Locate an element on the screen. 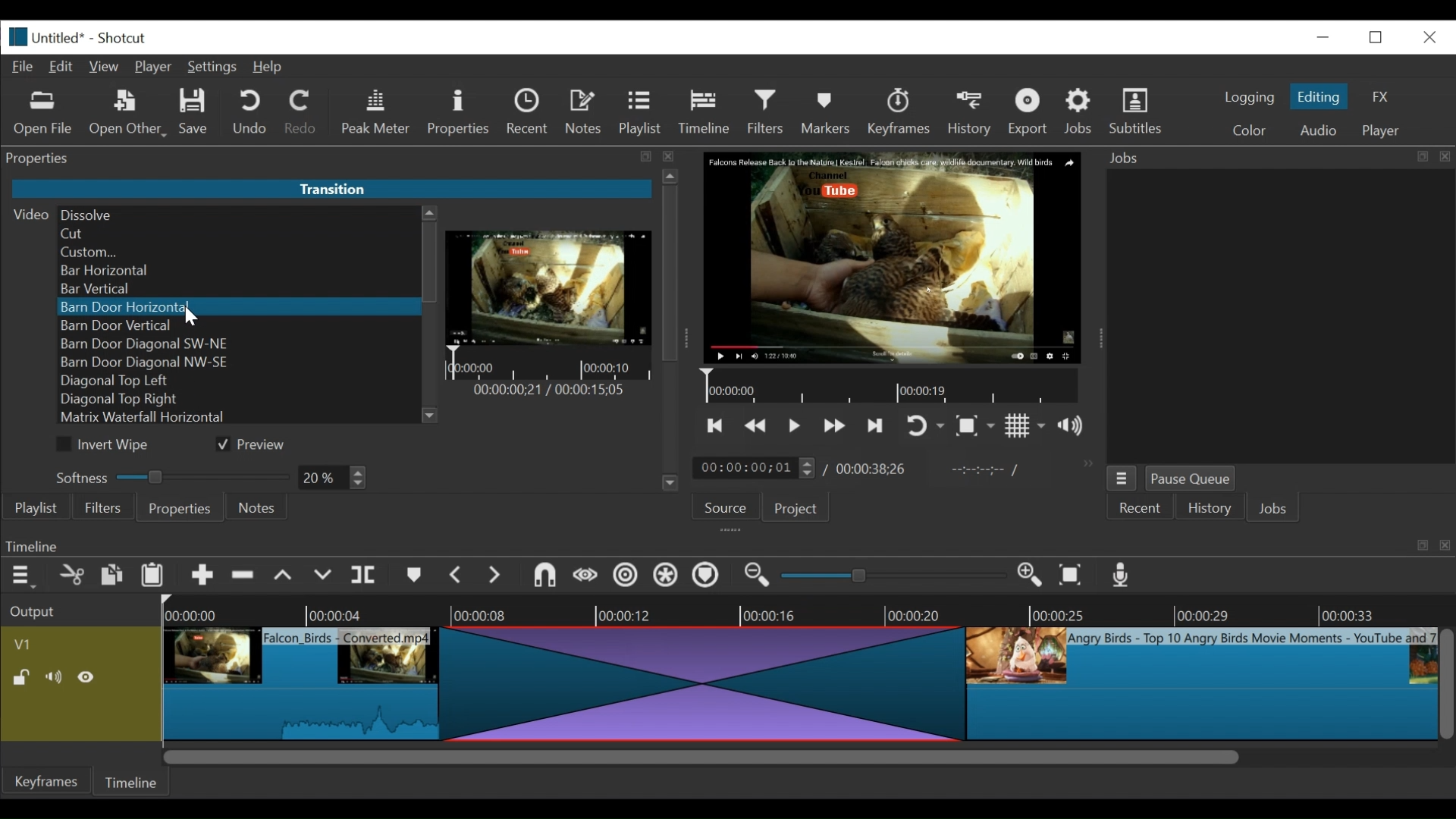  Jobs is located at coordinates (1081, 111).